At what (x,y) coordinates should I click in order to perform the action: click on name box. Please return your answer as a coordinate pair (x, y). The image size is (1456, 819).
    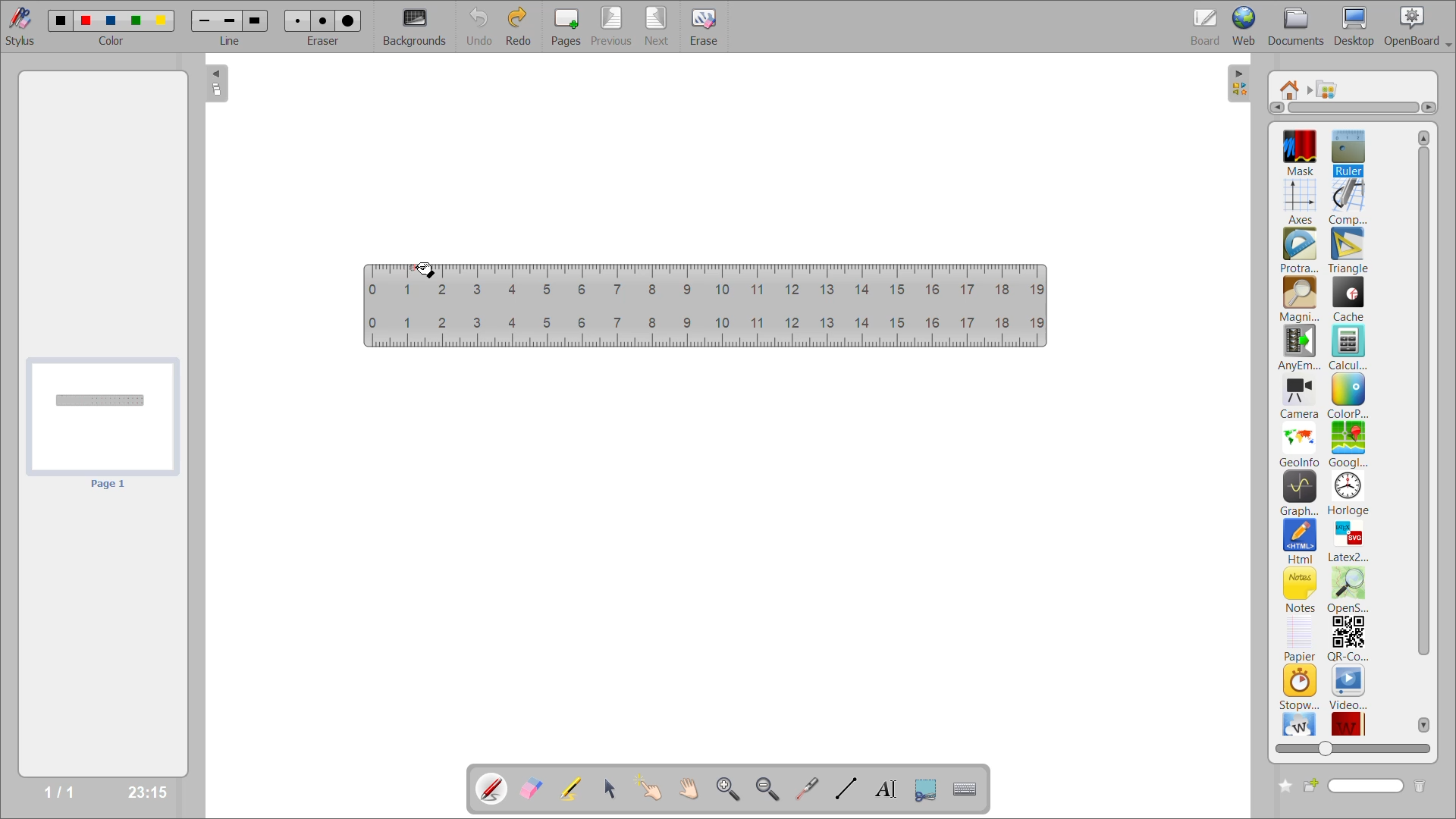
    Looking at the image, I should click on (1354, 786).